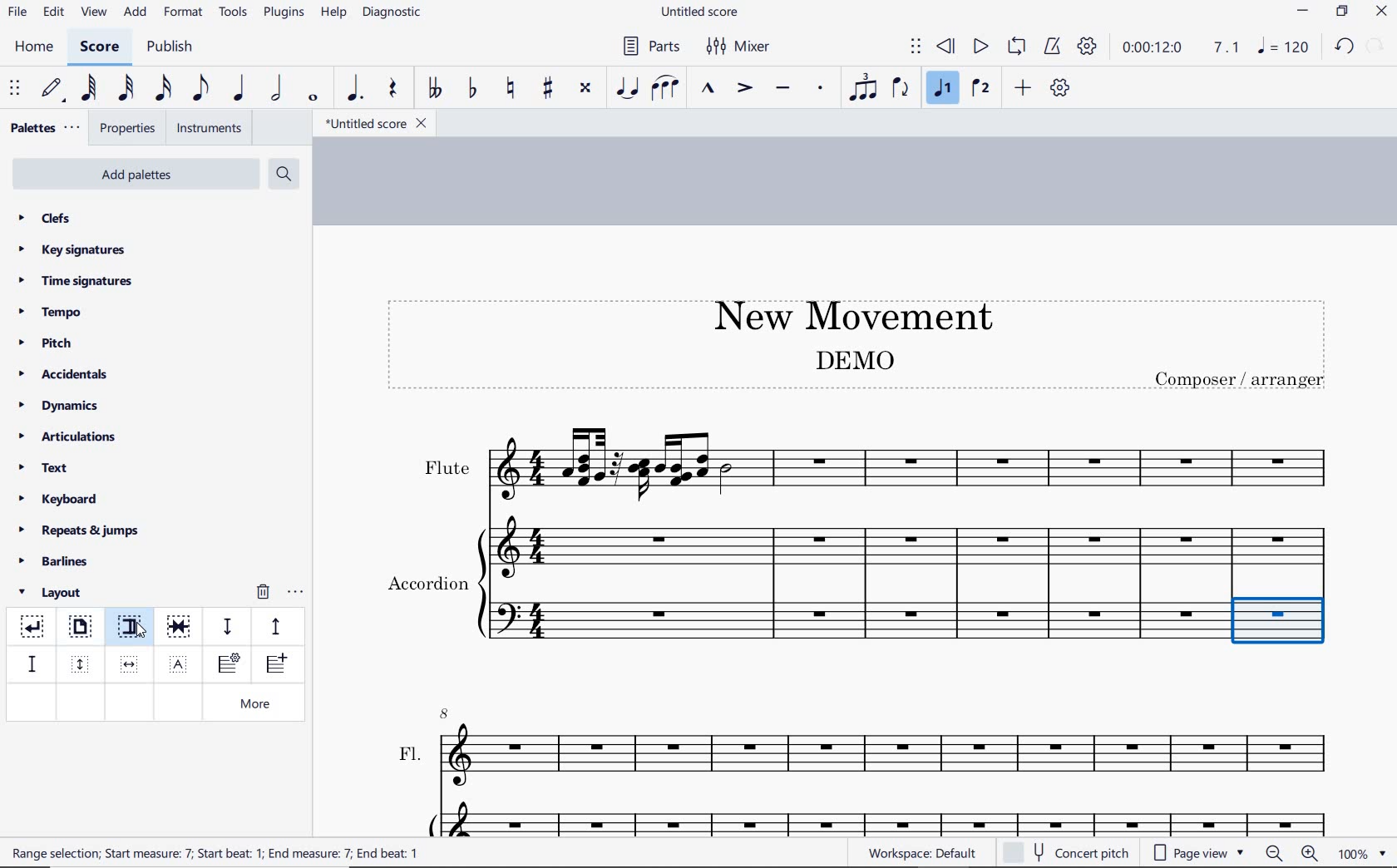 This screenshot has height=868, width=1397. I want to click on text, so click(45, 470).